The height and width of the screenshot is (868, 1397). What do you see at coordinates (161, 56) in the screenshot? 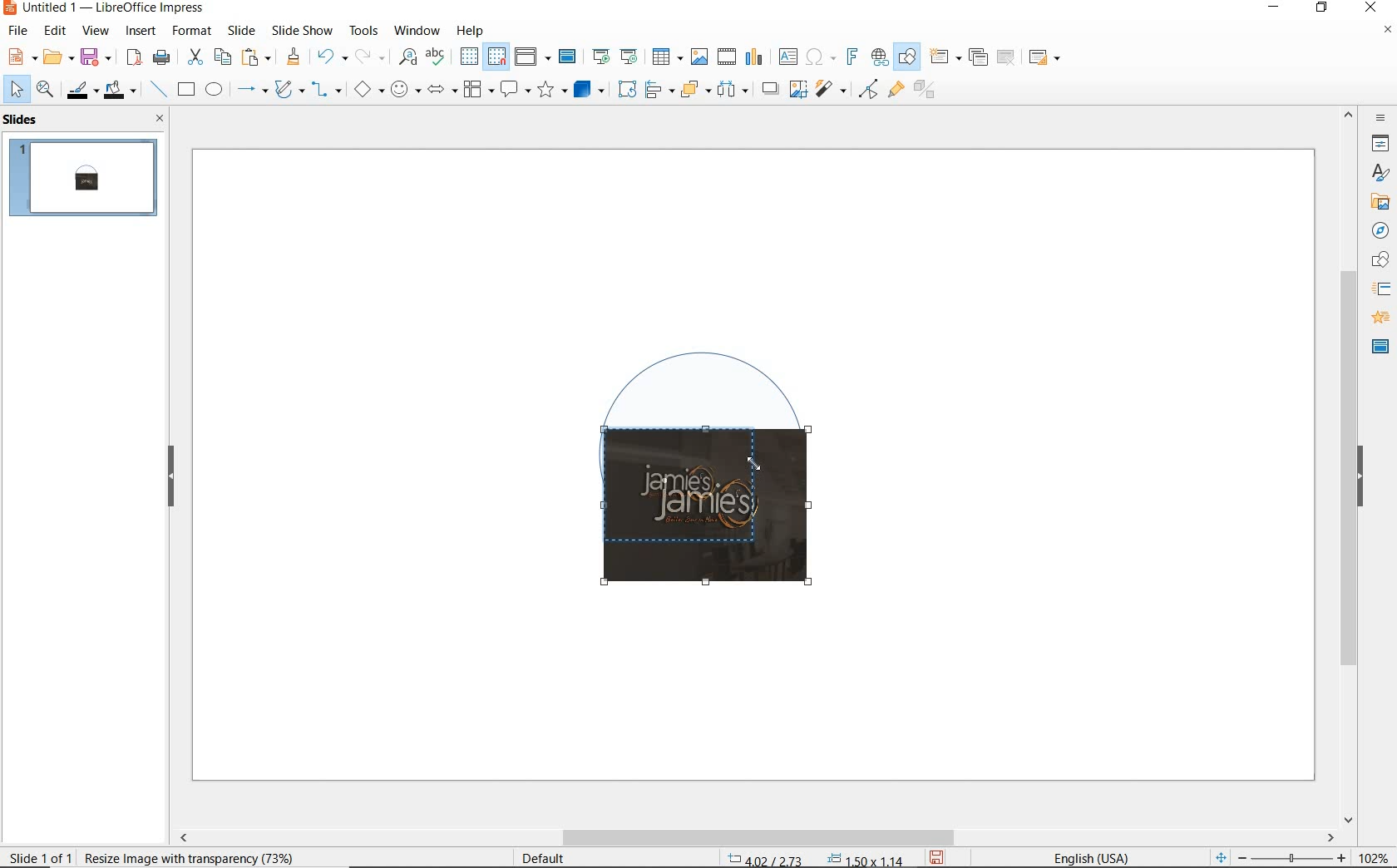
I see `print` at bounding box center [161, 56].